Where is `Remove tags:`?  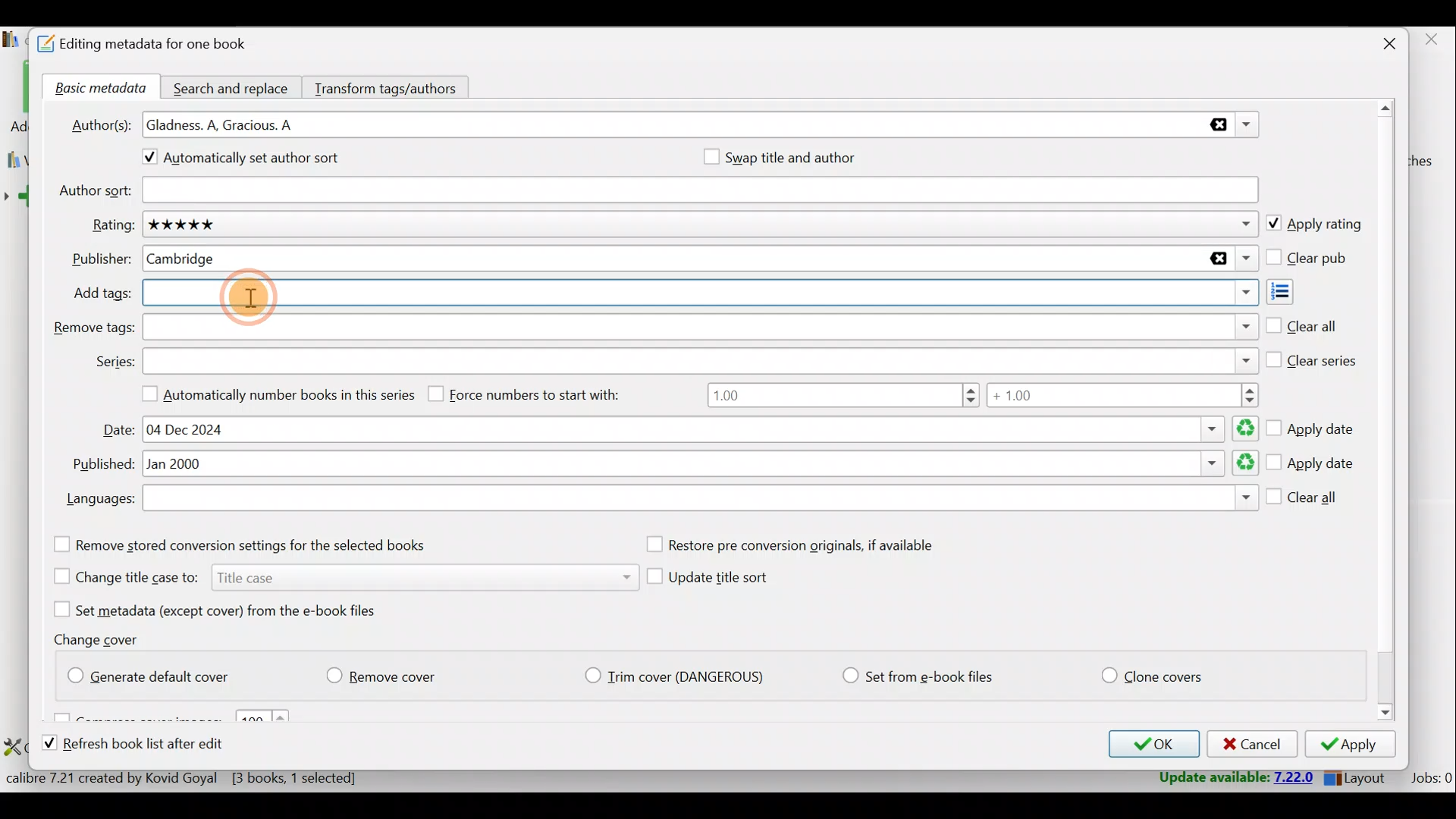
Remove tags: is located at coordinates (93, 328).